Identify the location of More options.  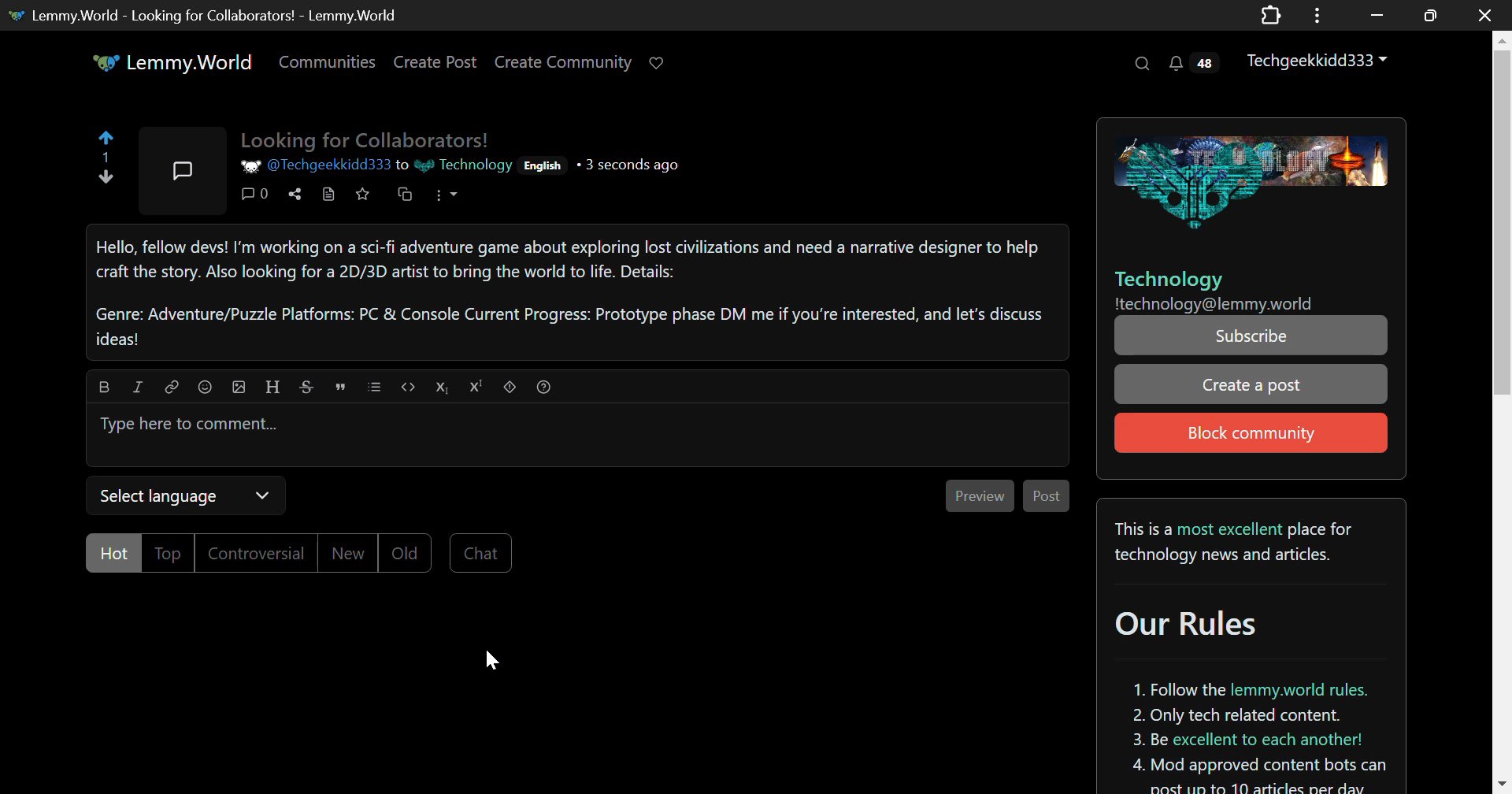
(445, 199).